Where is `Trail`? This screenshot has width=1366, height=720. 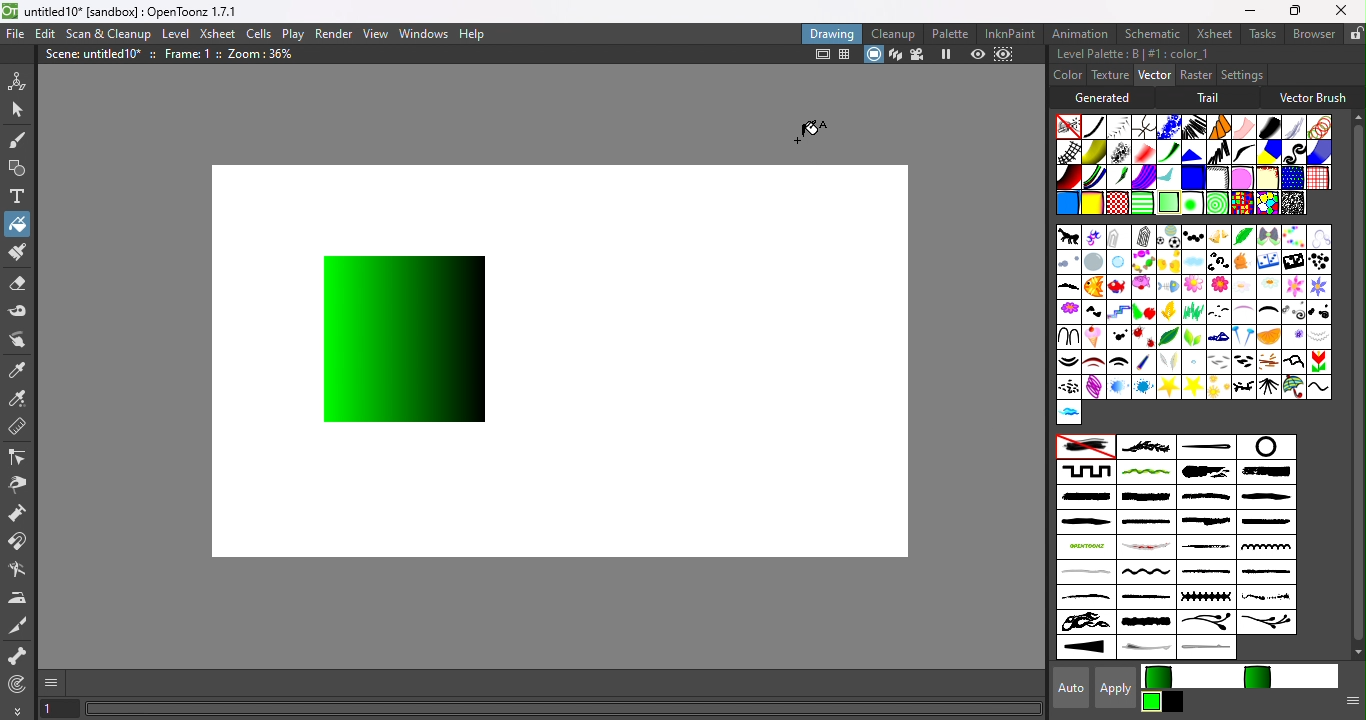 Trail is located at coordinates (1211, 98).